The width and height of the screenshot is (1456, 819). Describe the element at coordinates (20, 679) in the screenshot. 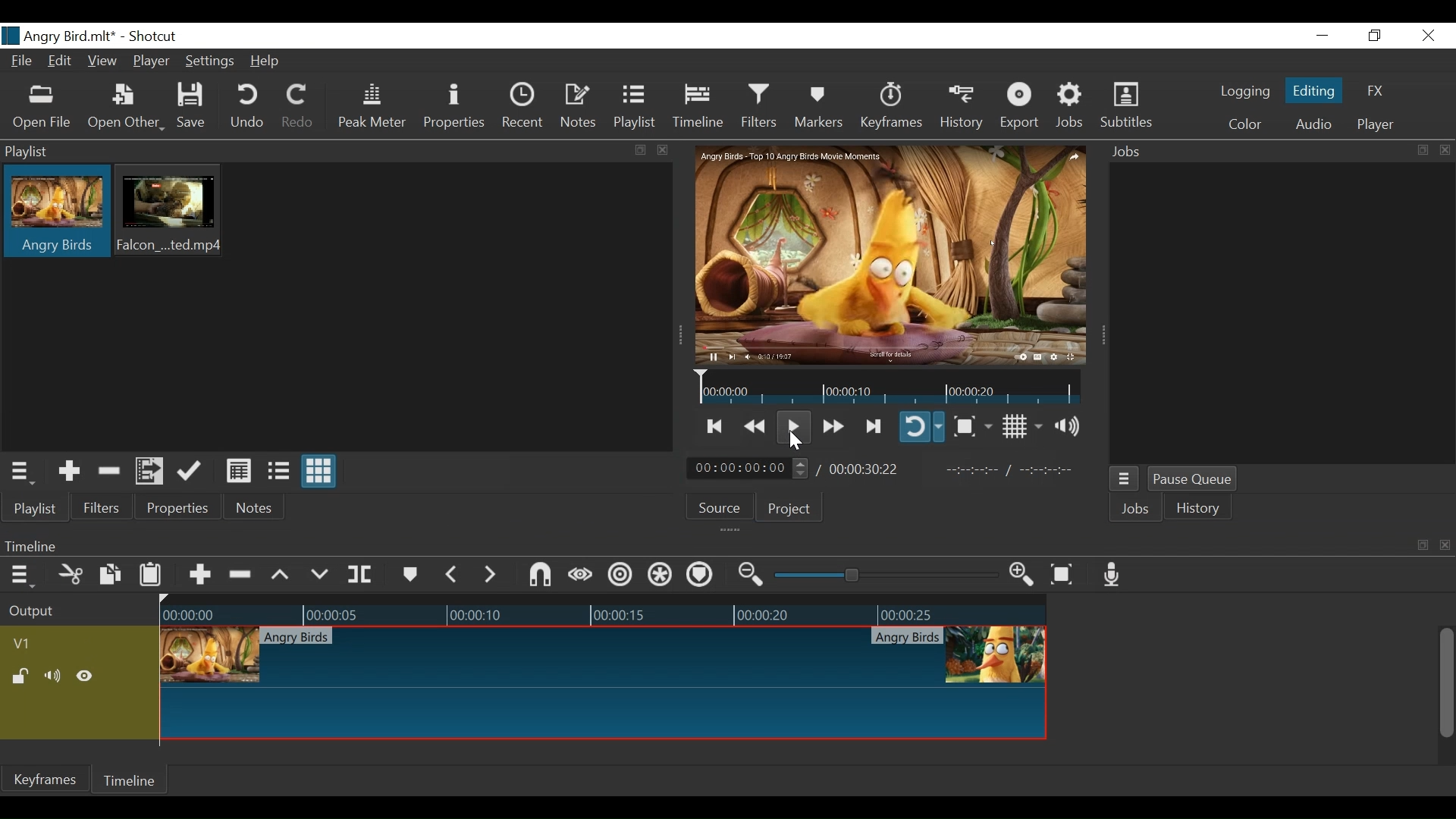

I see `(un)lock track` at that location.